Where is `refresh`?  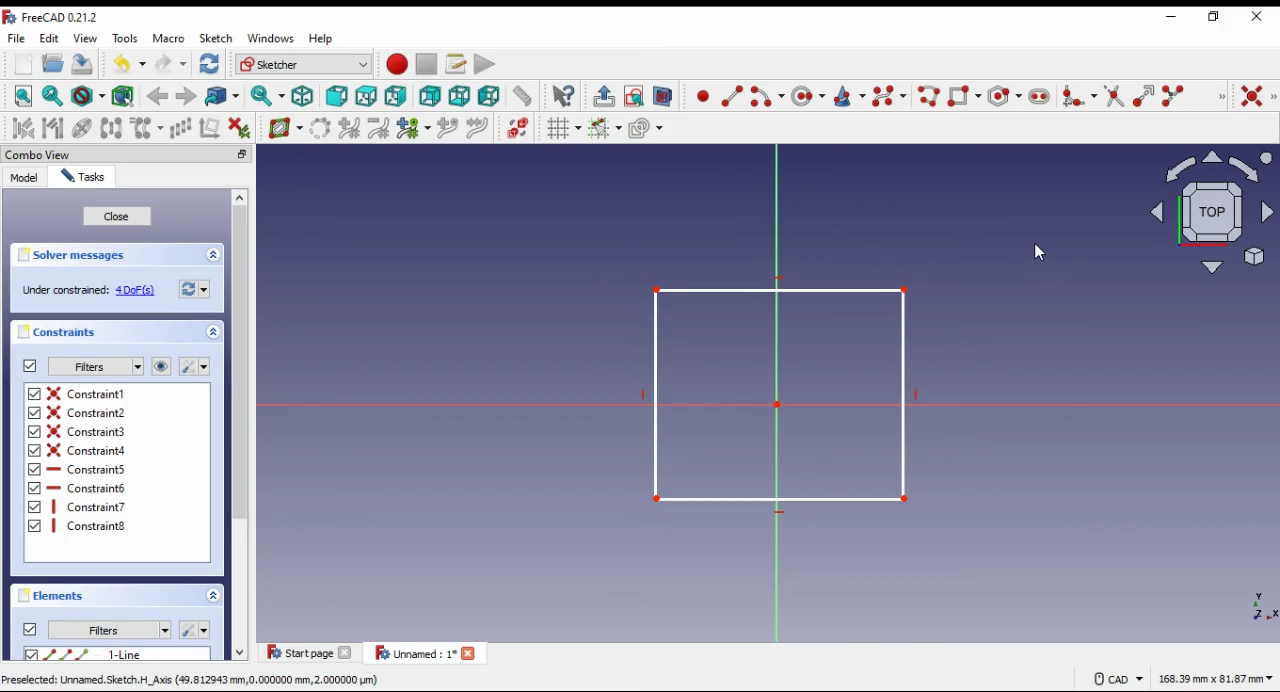
refresh is located at coordinates (210, 63).